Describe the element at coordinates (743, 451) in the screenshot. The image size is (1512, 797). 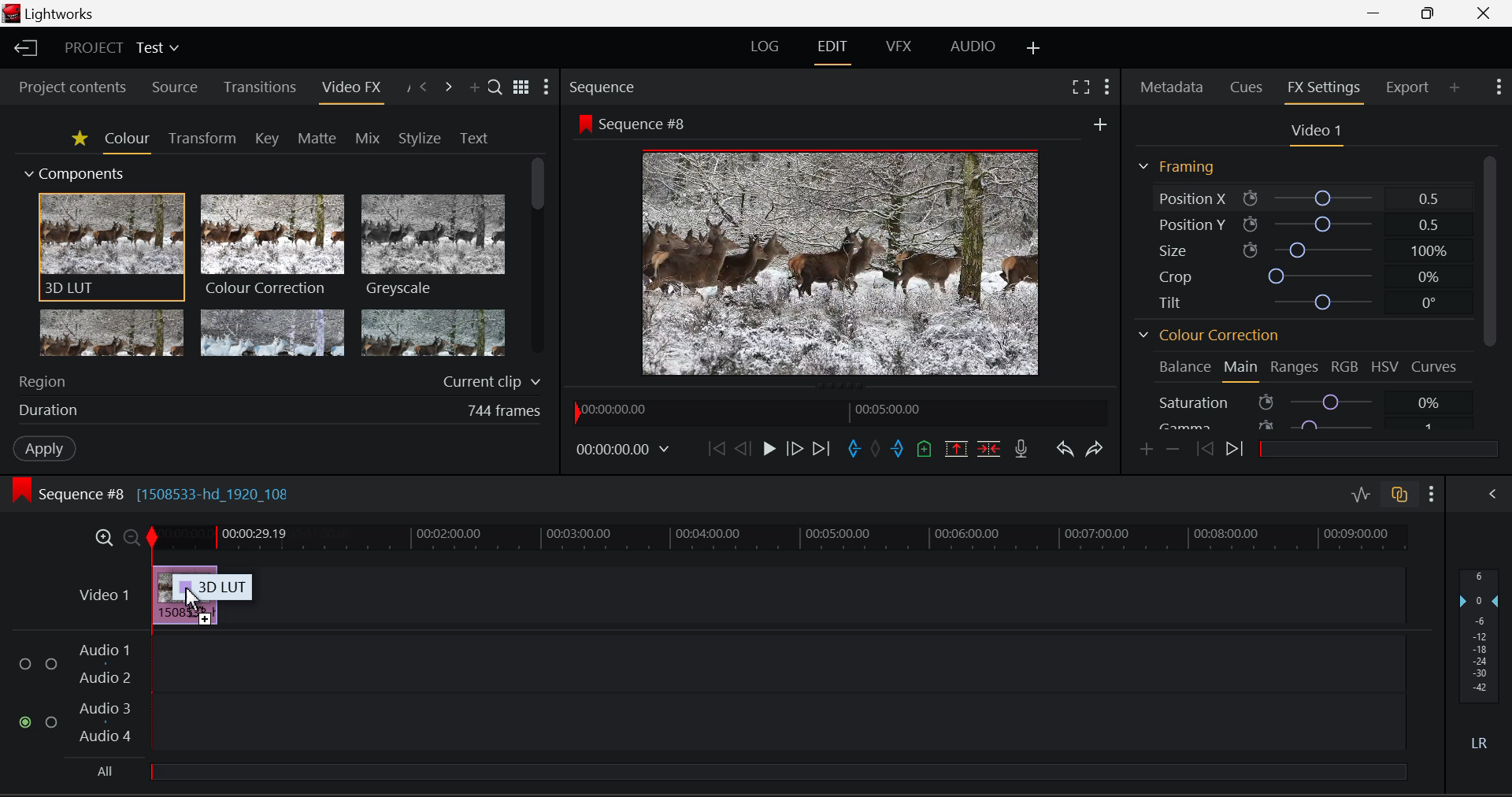
I see `Go Back` at that location.